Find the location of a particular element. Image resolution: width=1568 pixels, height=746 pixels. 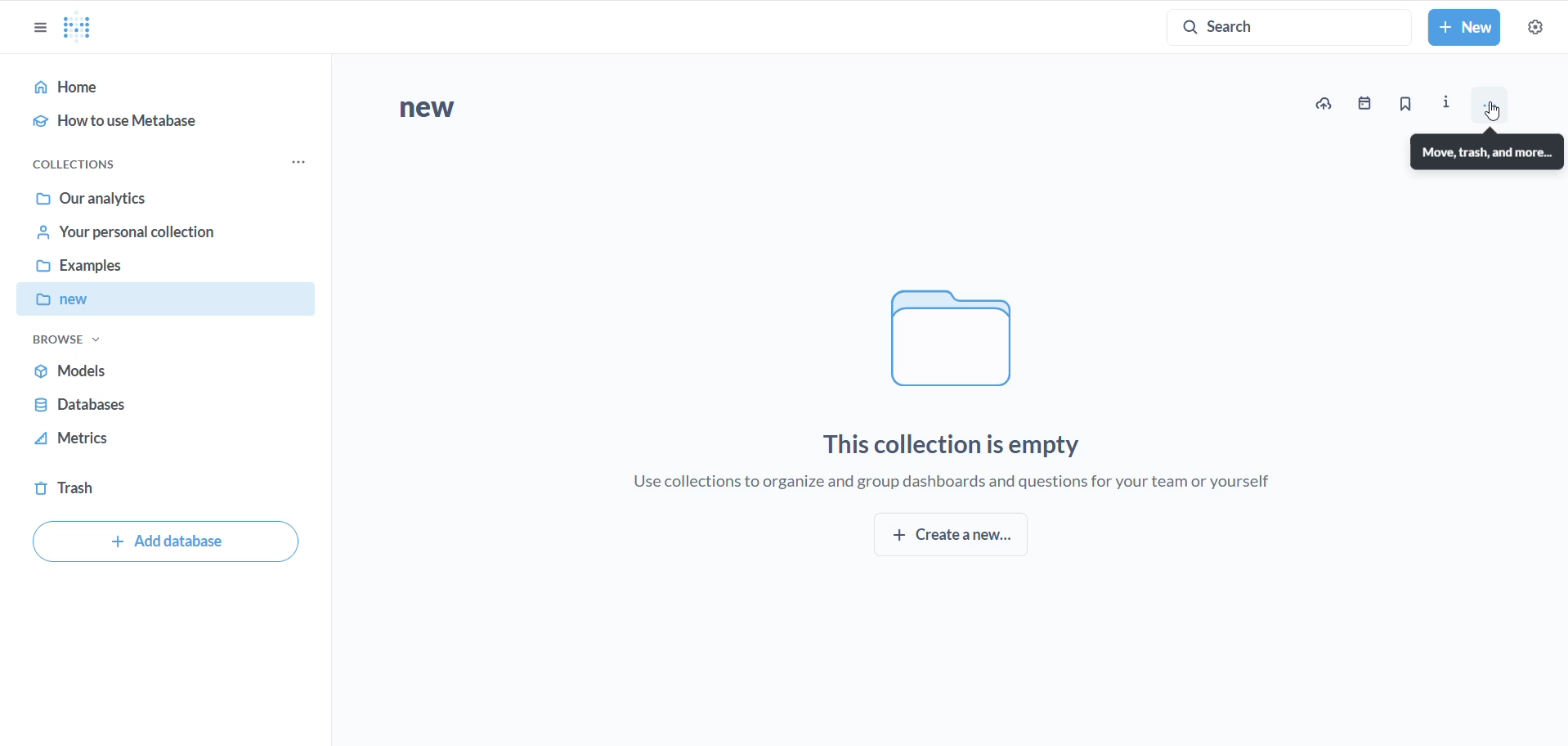

SETTINGS is located at coordinates (1534, 28).